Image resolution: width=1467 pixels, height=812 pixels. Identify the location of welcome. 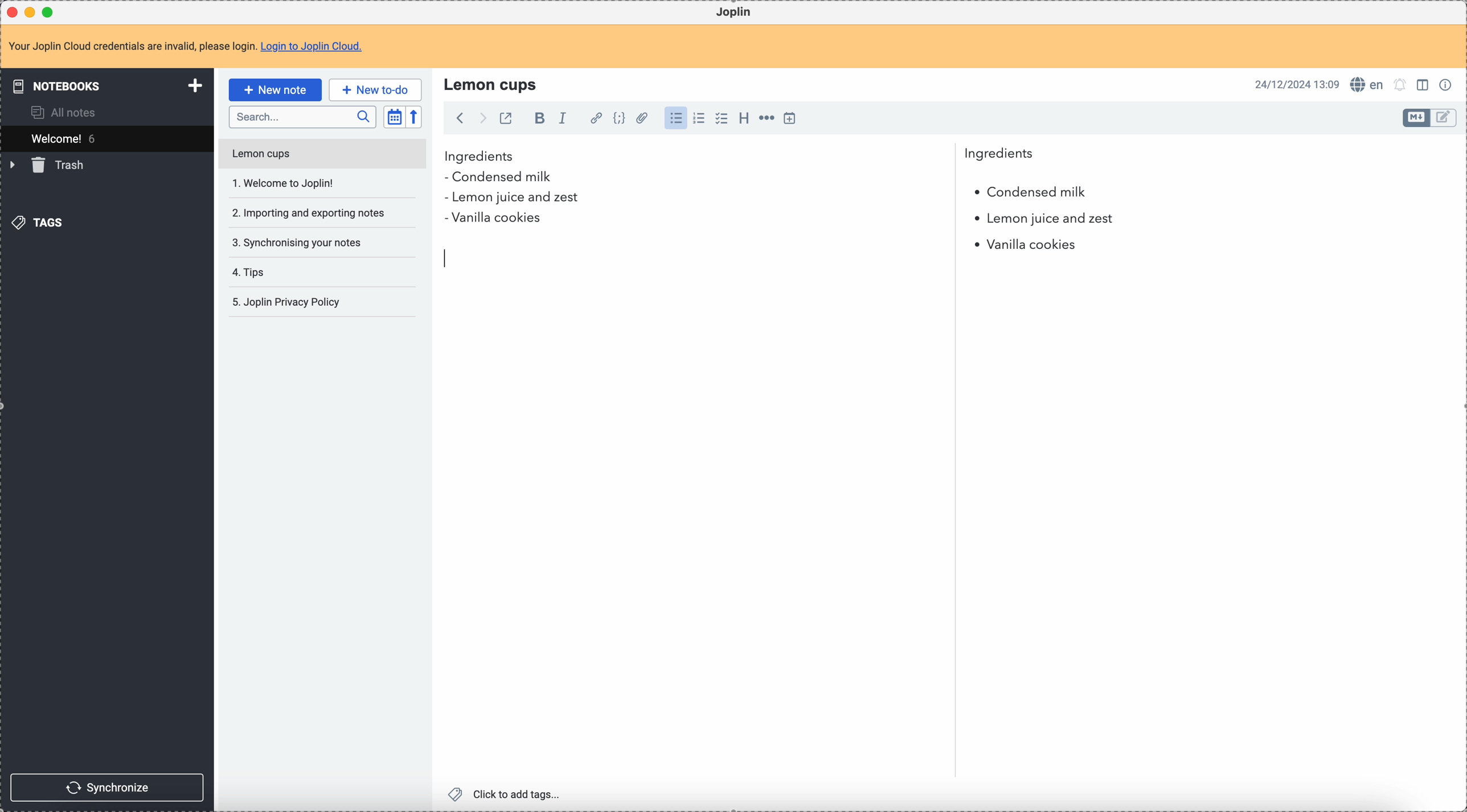
(106, 138).